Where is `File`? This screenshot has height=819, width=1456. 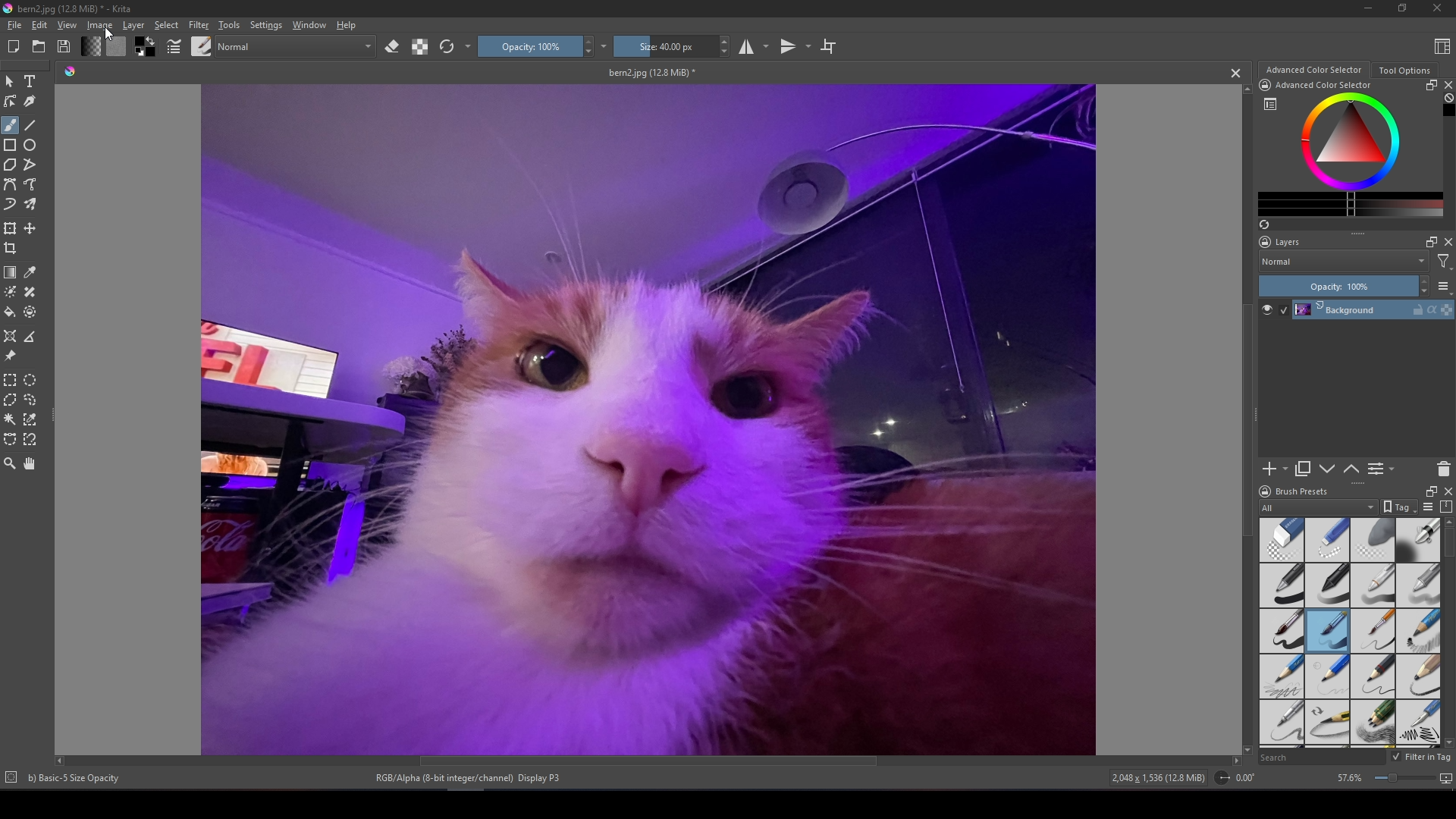 File is located at coordinates (14, 26).